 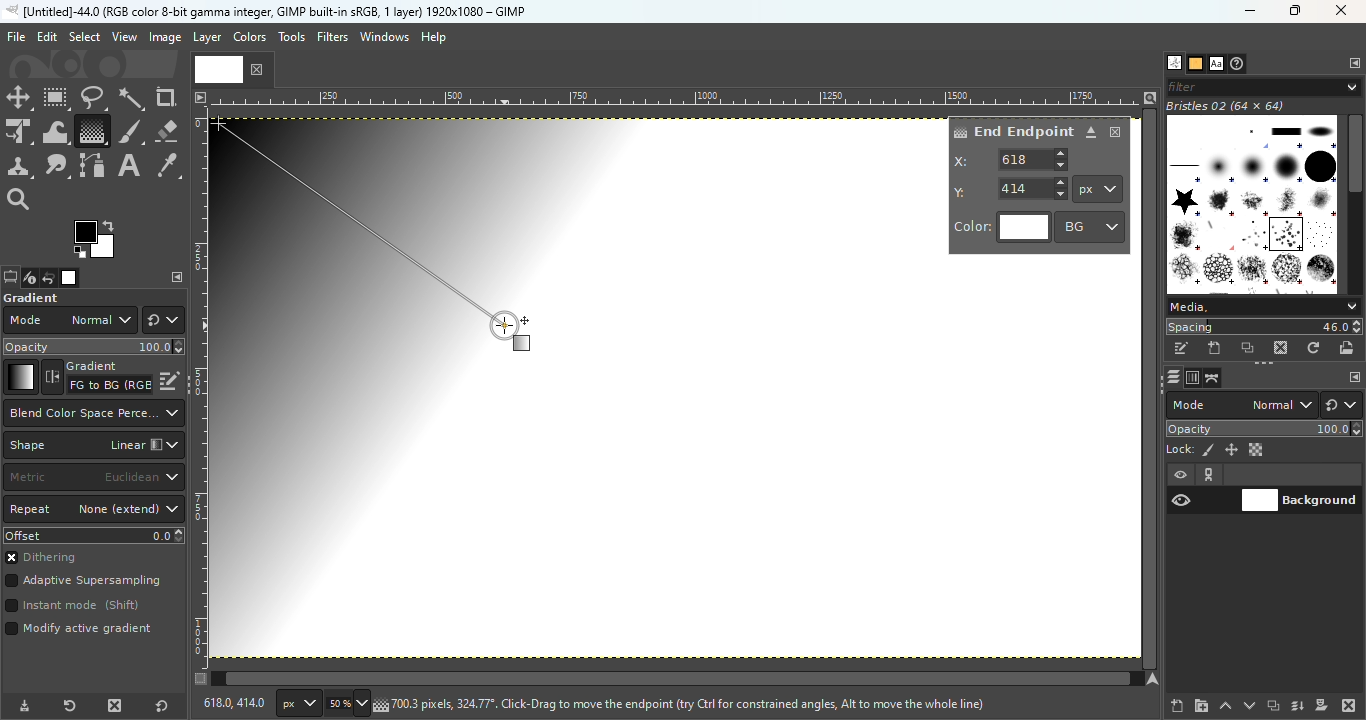 What do you see at coordinates (1216, 64) in the screenshot?
I see `open the fonts tab` at bounding box center [1216, 64].